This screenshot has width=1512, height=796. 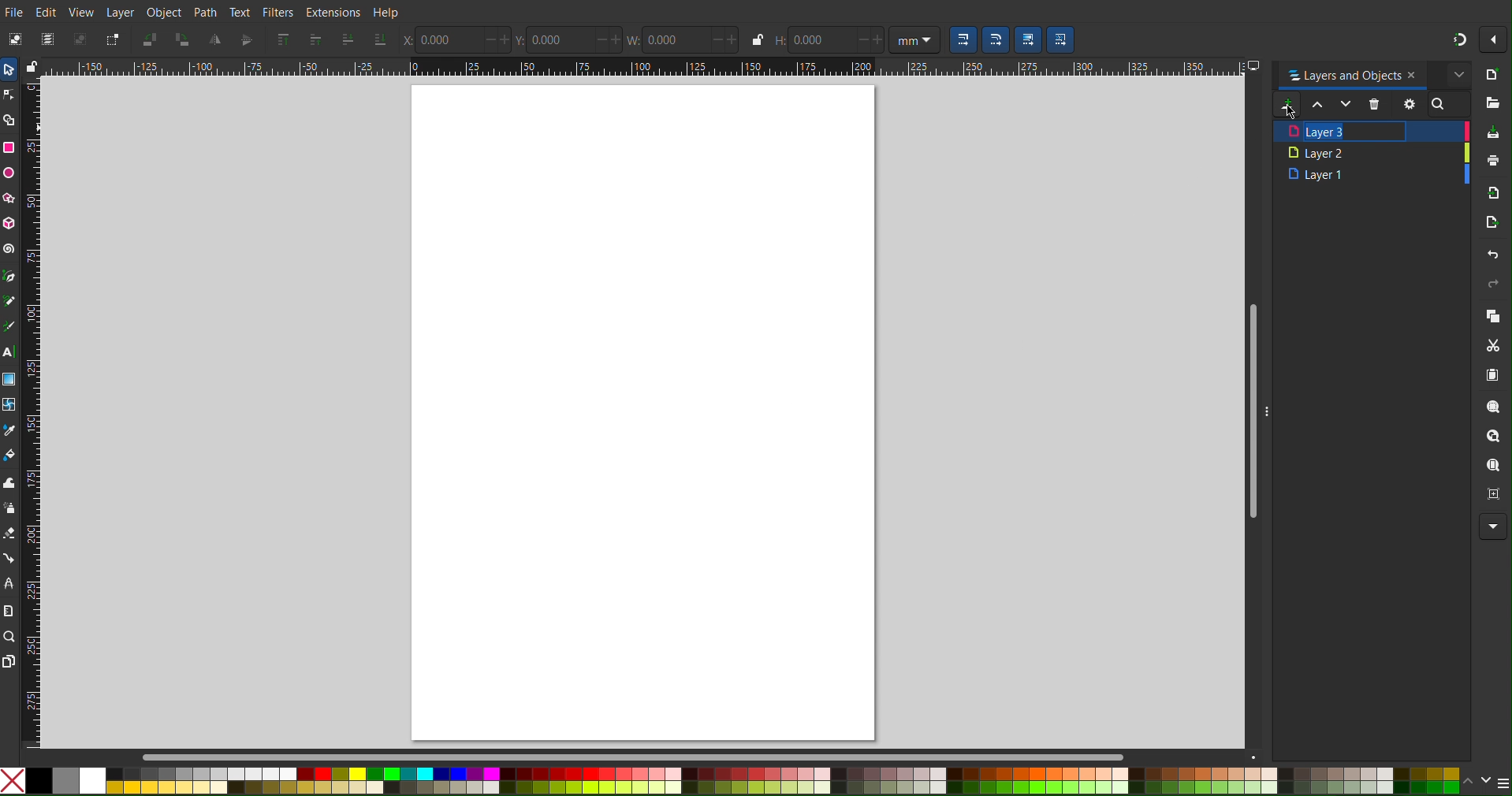 What do you see at coordinates (204, 13) in the screenshot?
I see `Path` at bounding box center [204, 13].